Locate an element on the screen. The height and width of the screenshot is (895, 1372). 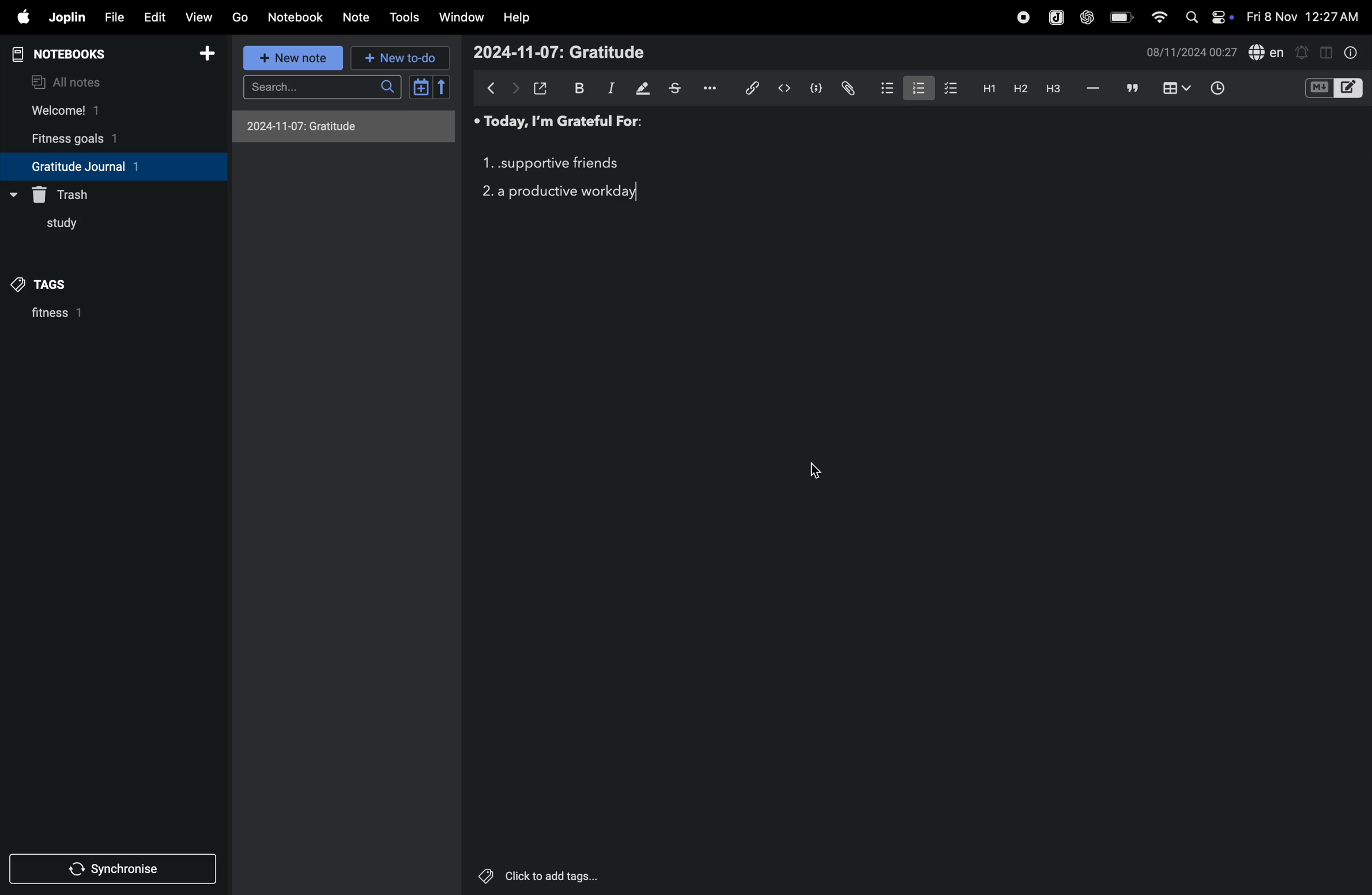
new to do is located at coordinates (397, 58).